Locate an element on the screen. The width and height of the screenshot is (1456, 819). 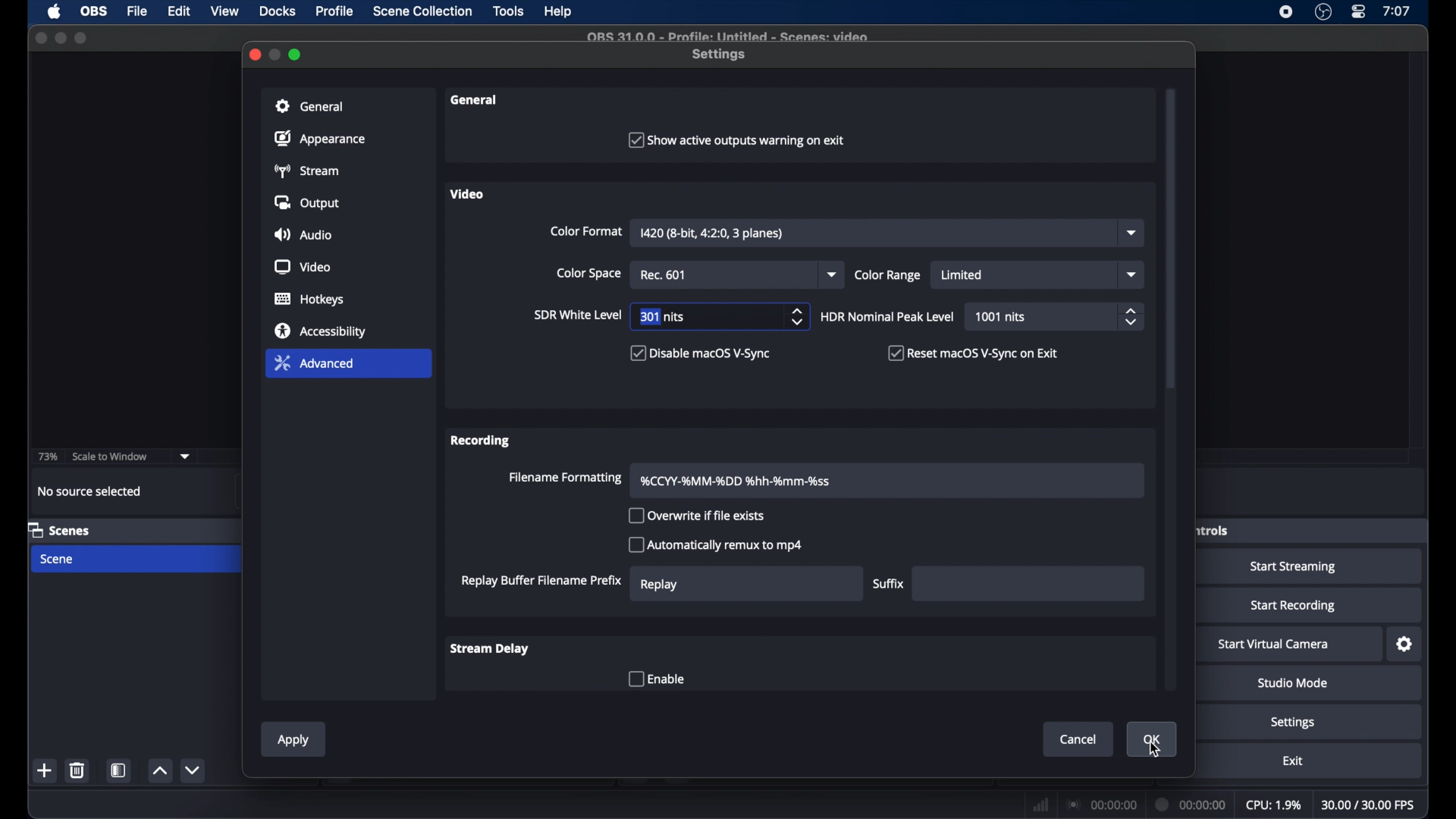
dropdown is located at coordinates (1132, 275).